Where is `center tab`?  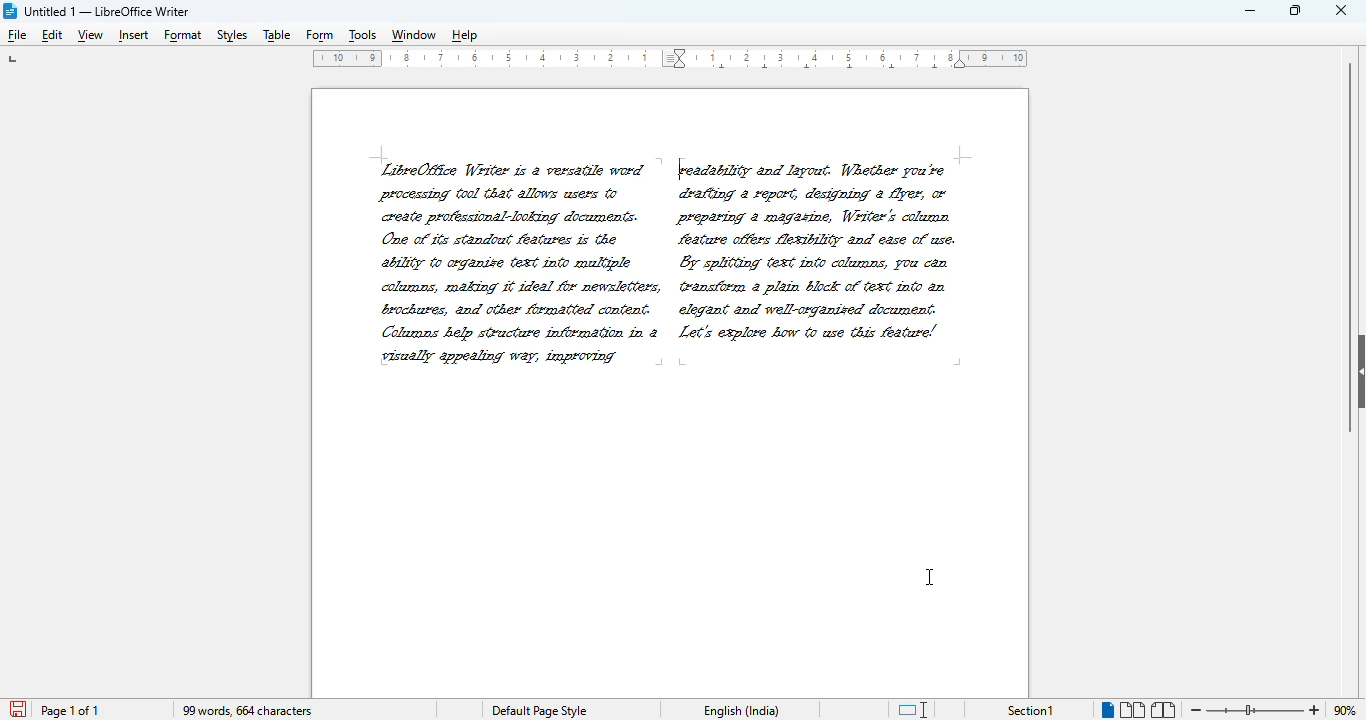 center tab is located at coordinates (935, 68).